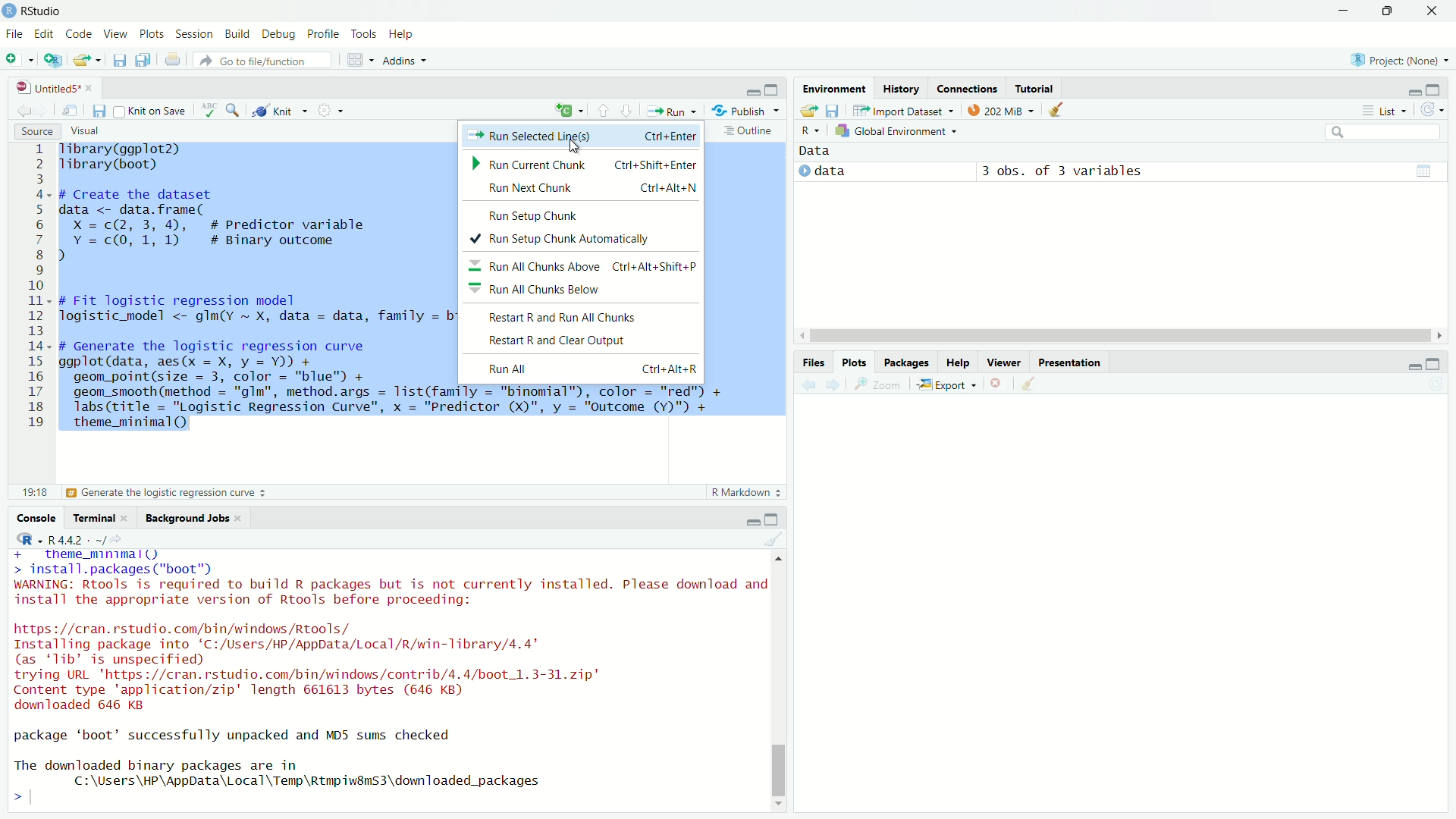 The image size is (1456, 819). What do you see at coordinates (810, 131) in the screenshot?
I see `R` at bounding box center [810, 131].